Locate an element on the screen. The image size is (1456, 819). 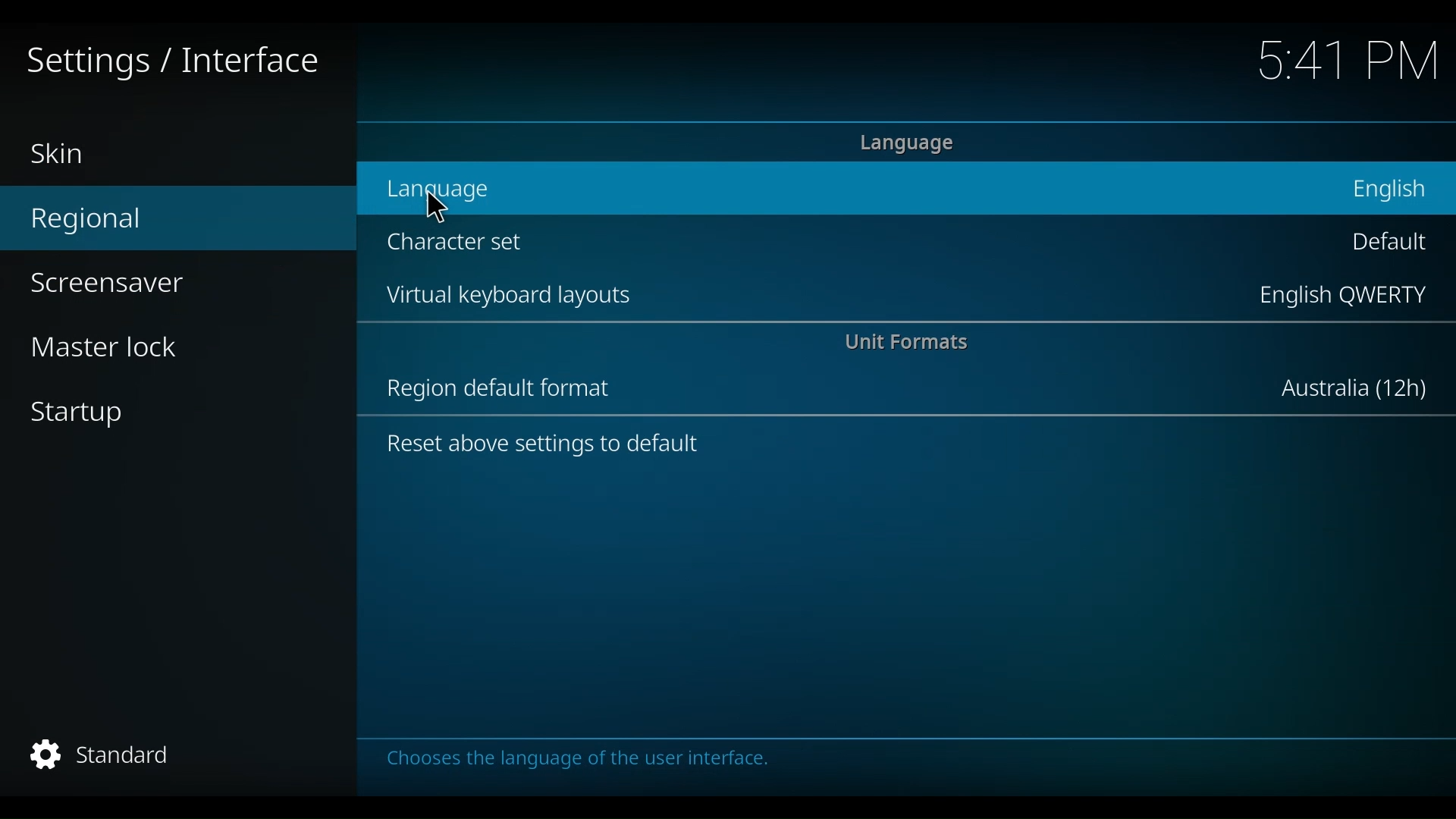
language english is located at coordinates (907, 188).